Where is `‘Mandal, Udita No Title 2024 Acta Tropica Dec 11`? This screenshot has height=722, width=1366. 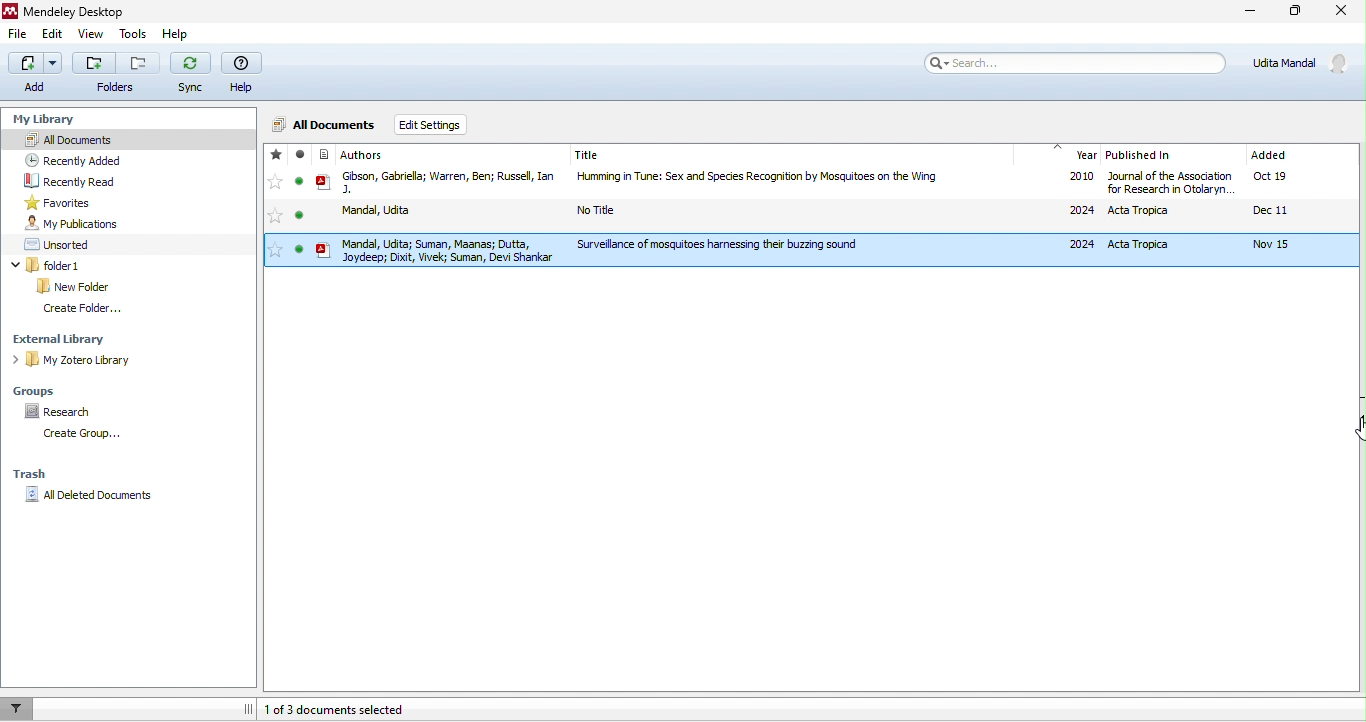 ‘Mandal, Udita No Title 2024 Acta Tropica Dec 11 is located at coordinates (788, 213).